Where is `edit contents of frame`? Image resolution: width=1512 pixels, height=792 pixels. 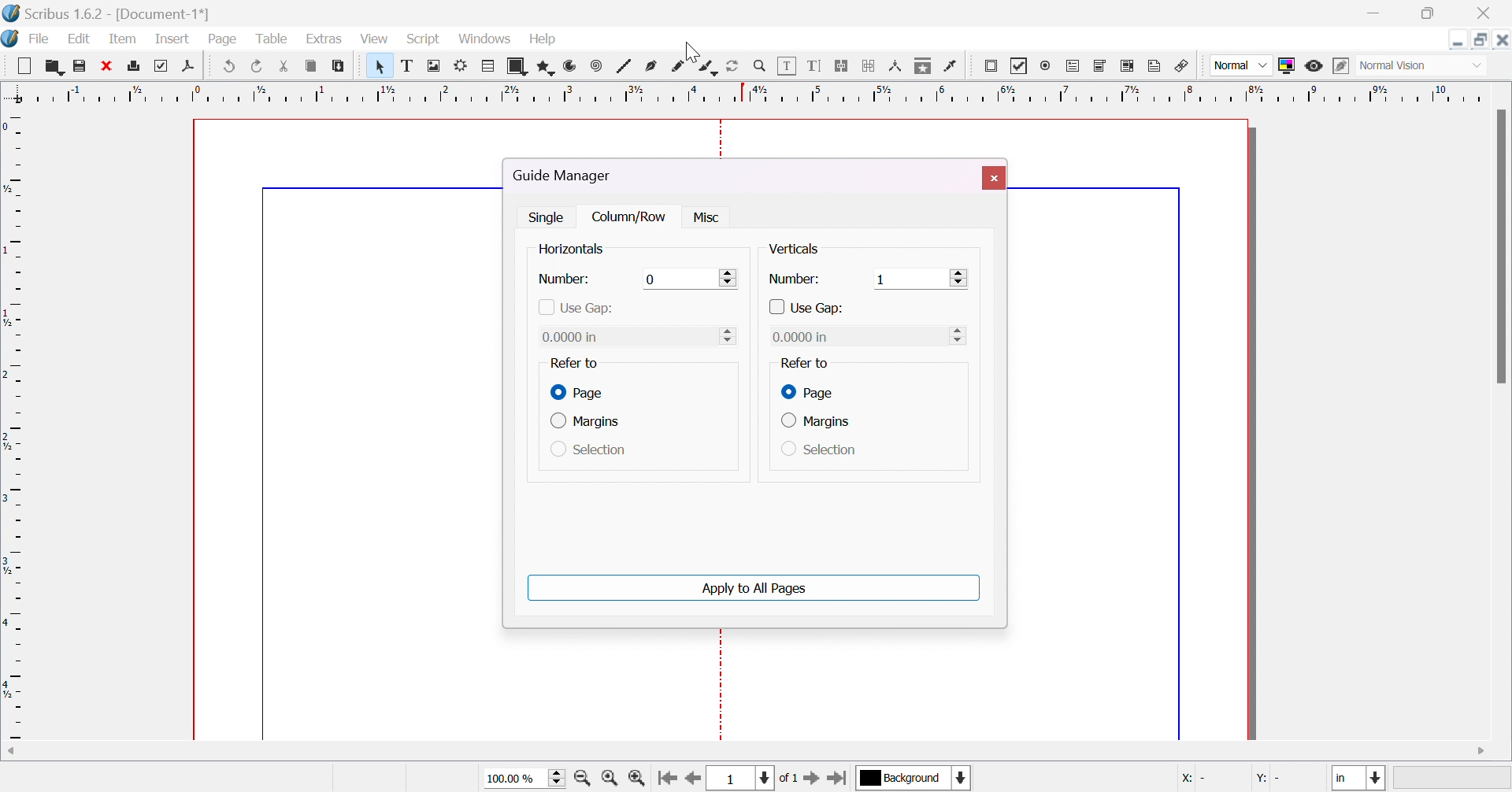
edit contents of frame is located at coordinates (790, 67).